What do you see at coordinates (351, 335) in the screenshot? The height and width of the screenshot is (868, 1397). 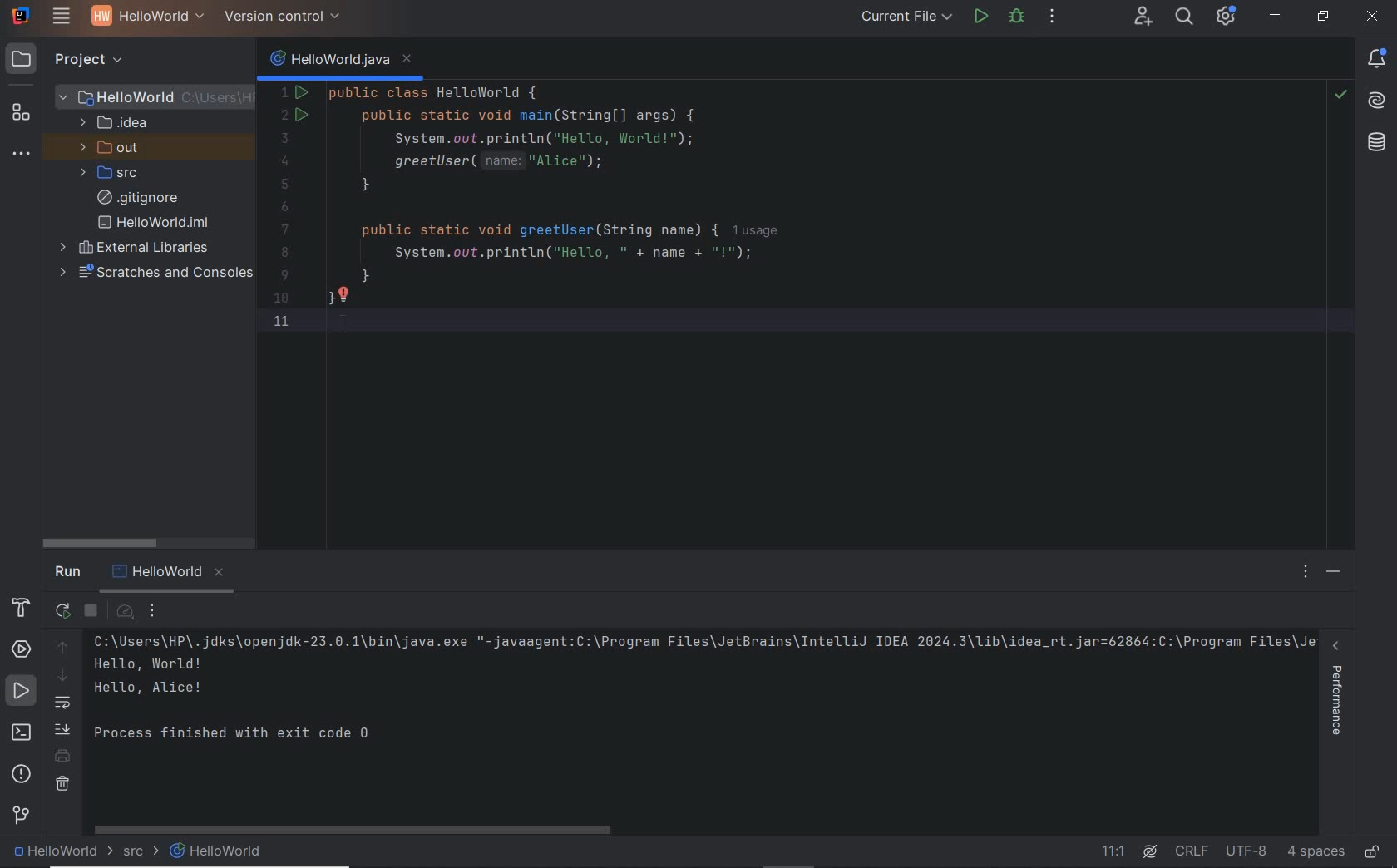 I see `I-beam cursor` at bounding box center [351, 335].